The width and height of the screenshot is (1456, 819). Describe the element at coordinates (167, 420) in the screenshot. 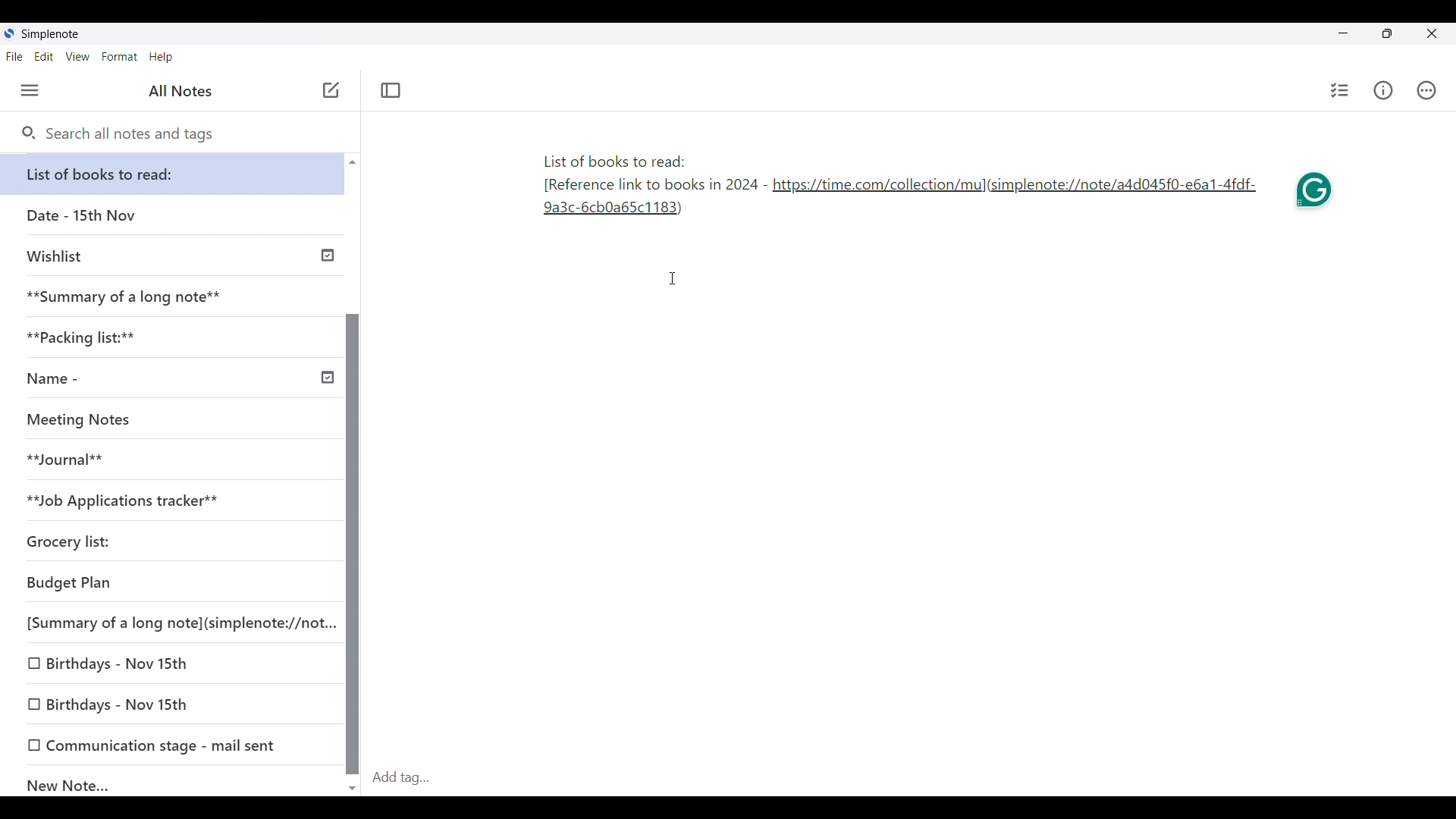

I see `Meeting Notes` at that location.